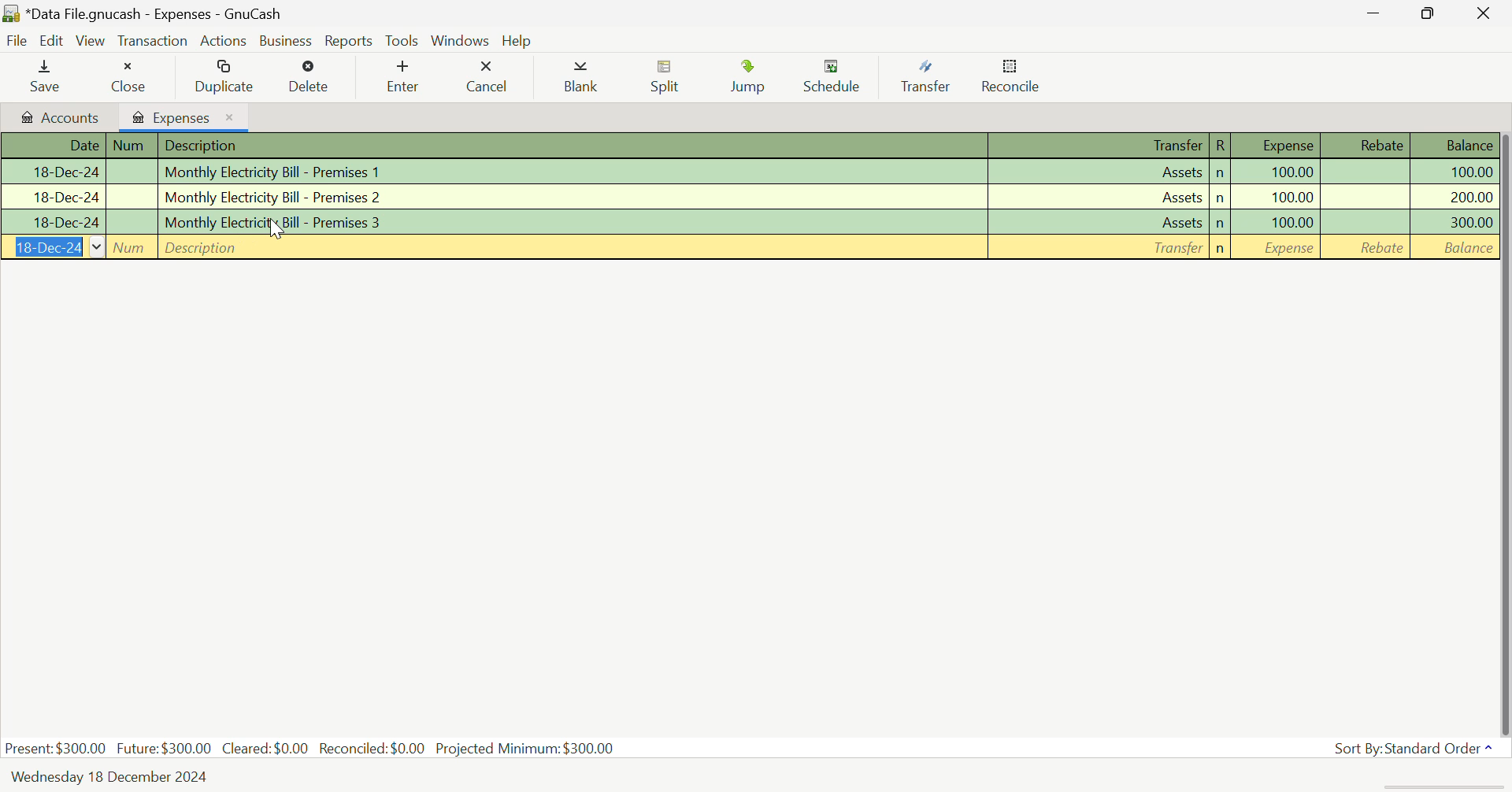  I want to click on Wednesday 18 December 2024, so click(114, 777).